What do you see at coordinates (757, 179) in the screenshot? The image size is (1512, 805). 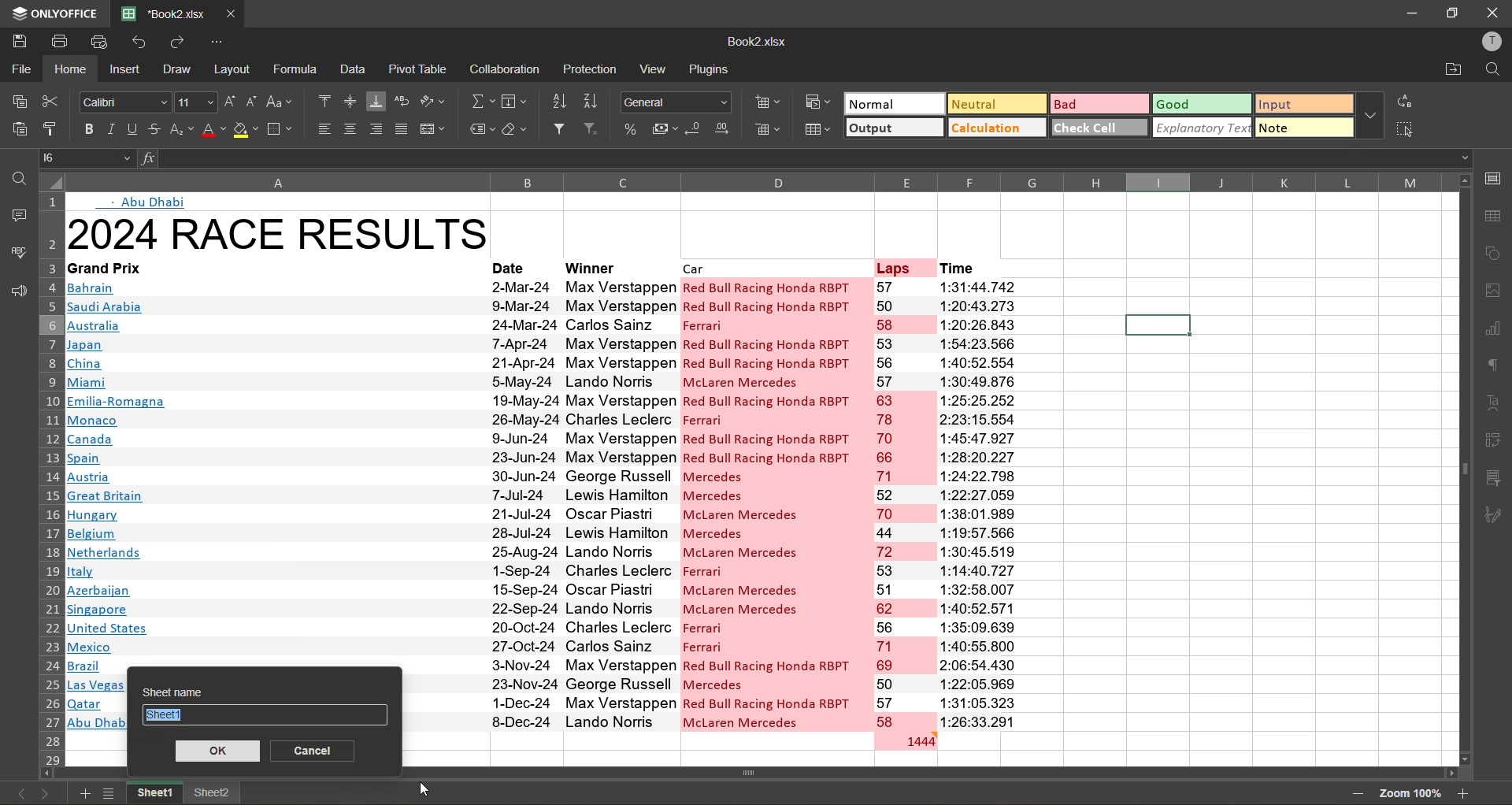 I see `column names` at bounding box center [757, 179].